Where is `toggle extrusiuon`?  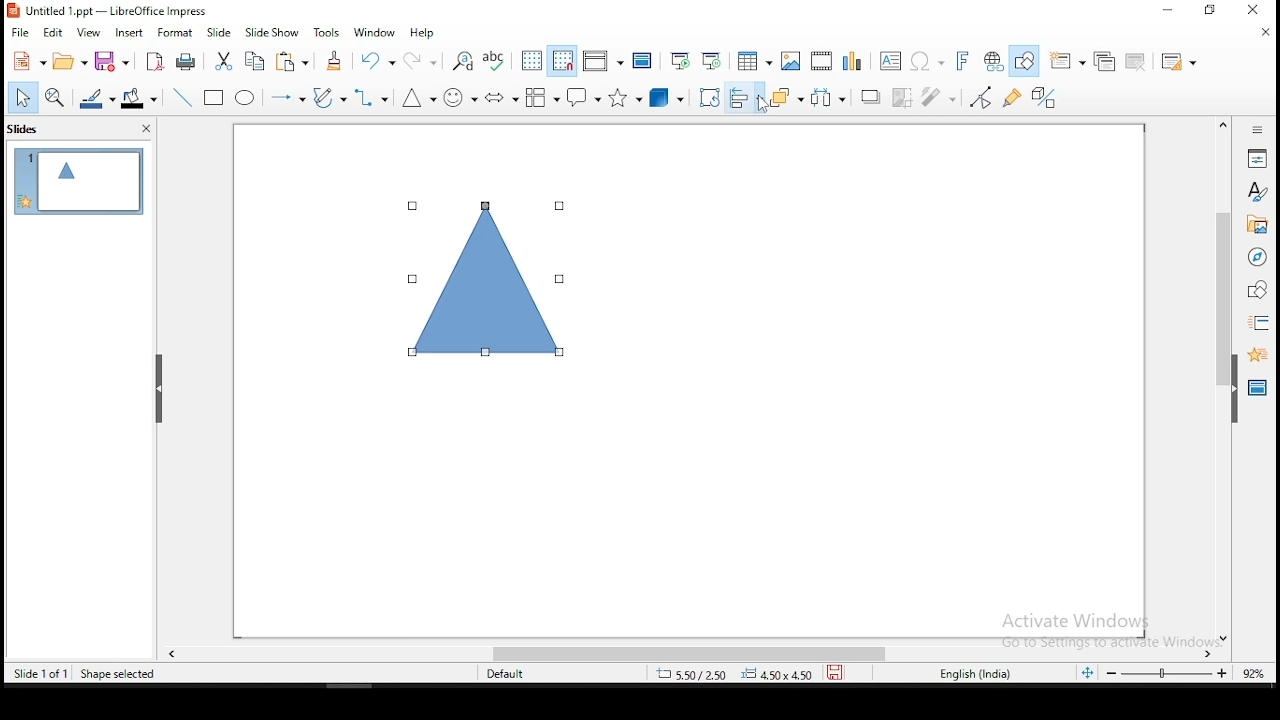 toggle extrusiuon is located at coordinates (1047, 98).